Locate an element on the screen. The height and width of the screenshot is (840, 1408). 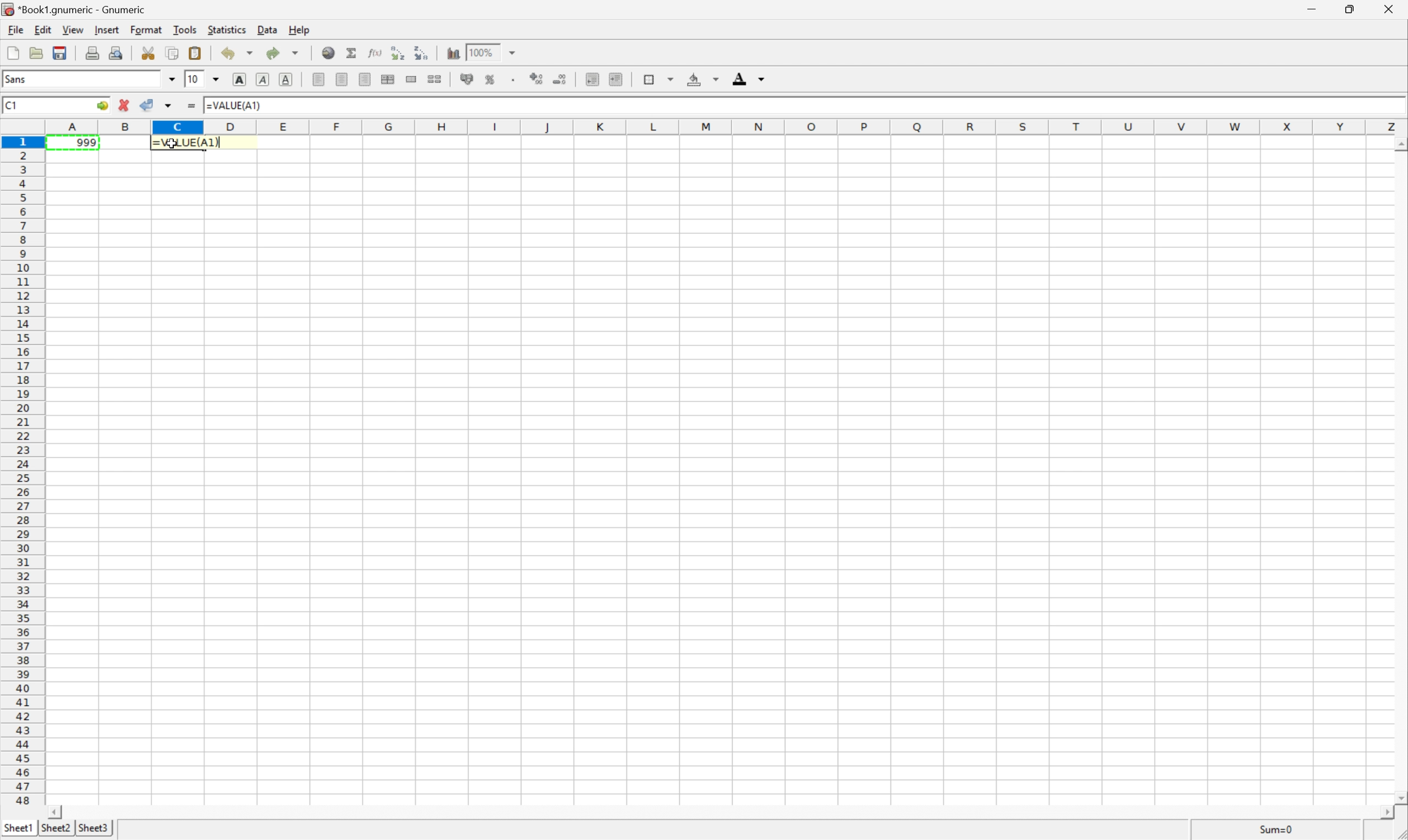
underline is located at coordinates (285, 78).